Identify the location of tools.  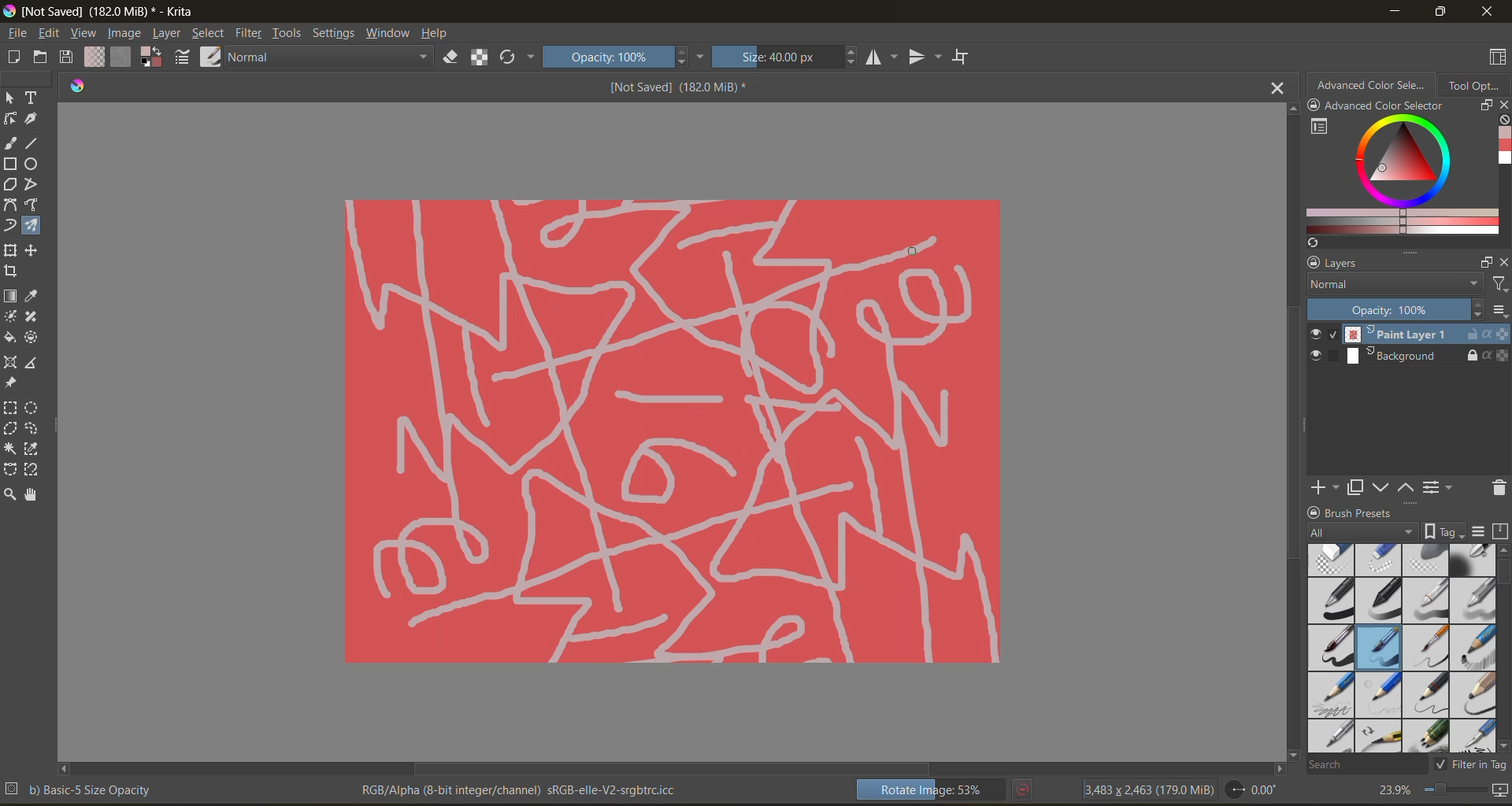
(28, 297).